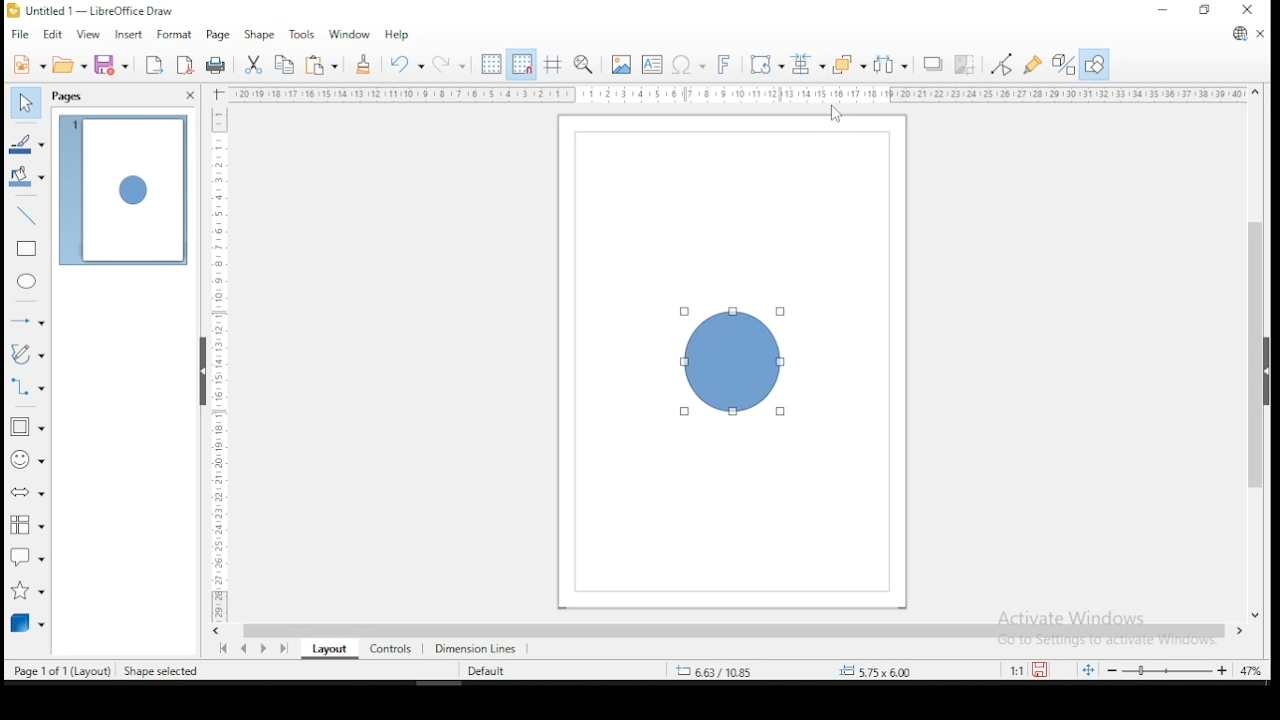 This screenshot has width=1280, height=720. What do you see at coordinates (738, 94) in the screenshot?
I see `horizontal scale` at bounding box center [738, 94].